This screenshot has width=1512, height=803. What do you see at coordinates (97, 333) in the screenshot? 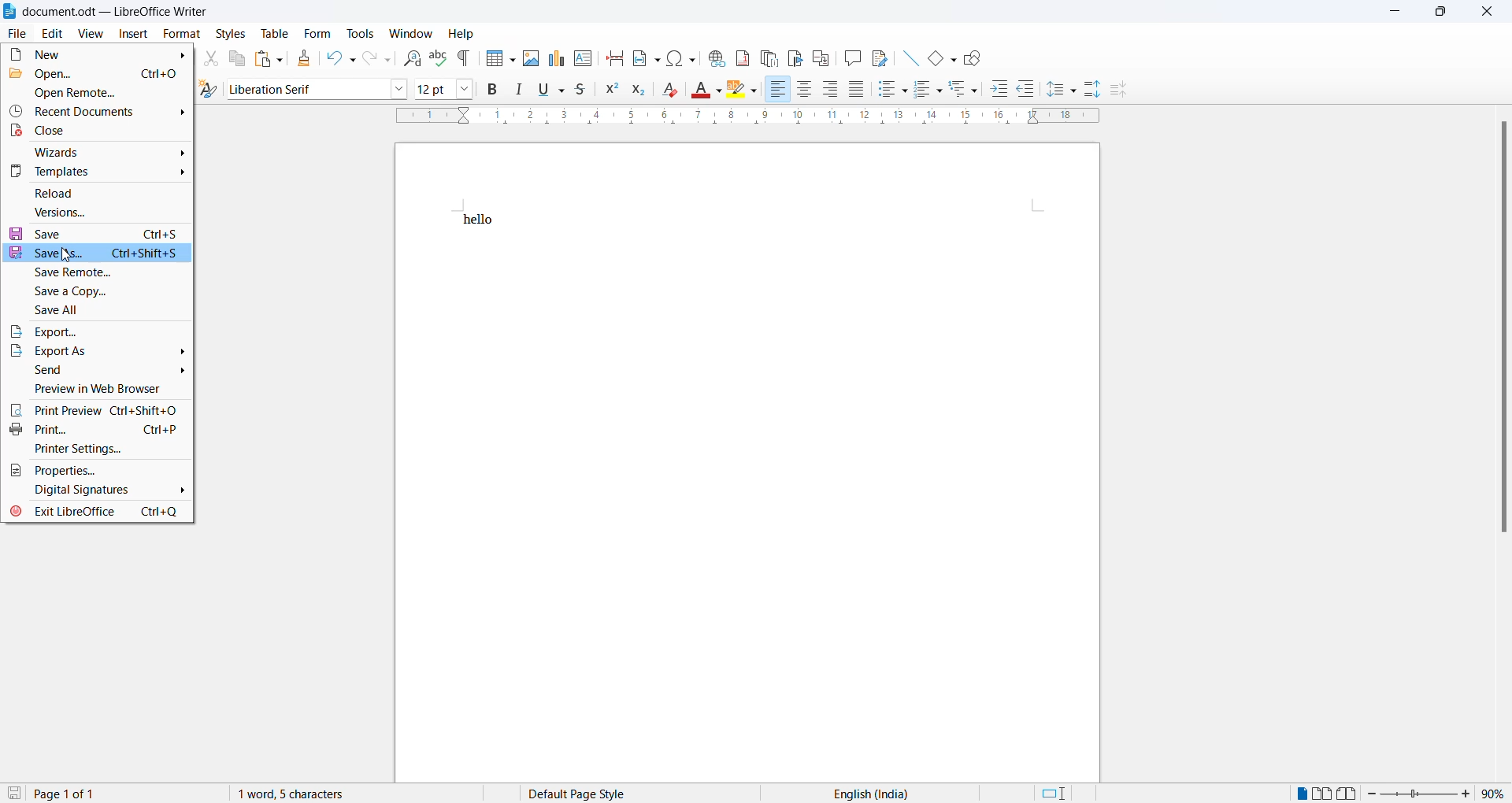
I see `Export` at bounding box center [97, 333].